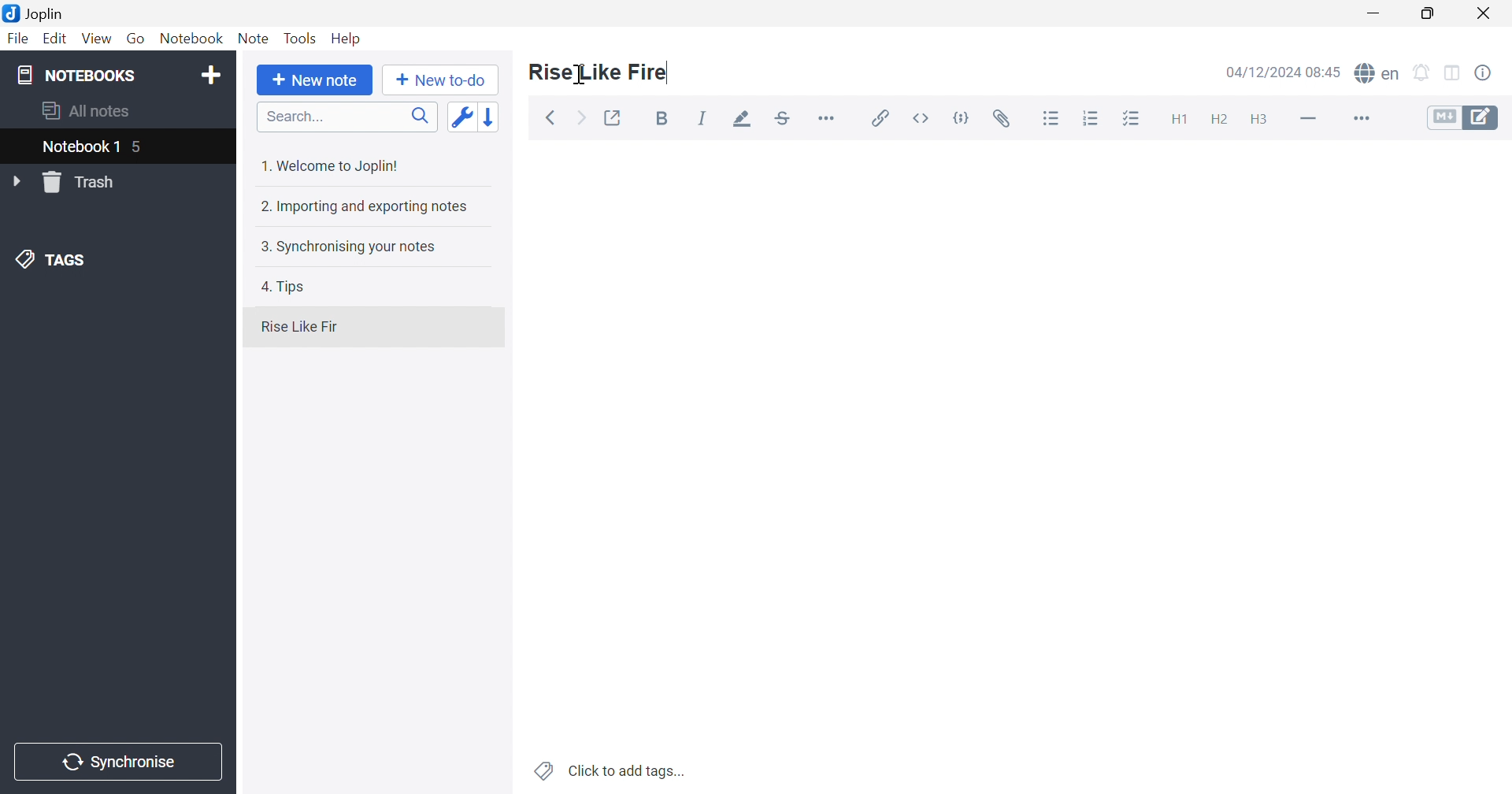 The image size is (1512, 794). What do you see at coordinates (1132, 120) in the screenshot?
I see `Checkbox list` at bounding box center [1132, 120].